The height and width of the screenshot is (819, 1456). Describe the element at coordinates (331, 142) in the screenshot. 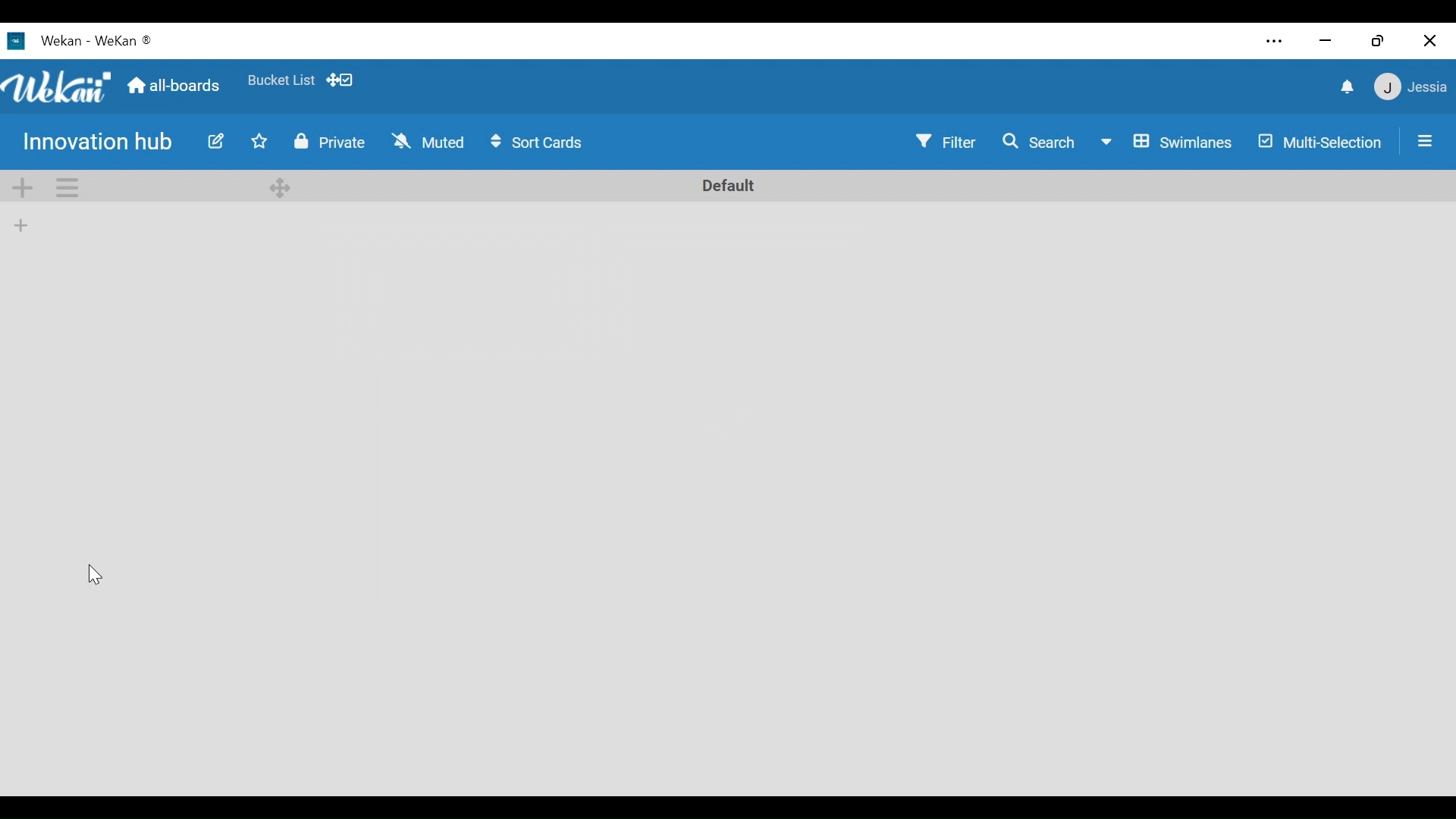

I see `Private` at that location.